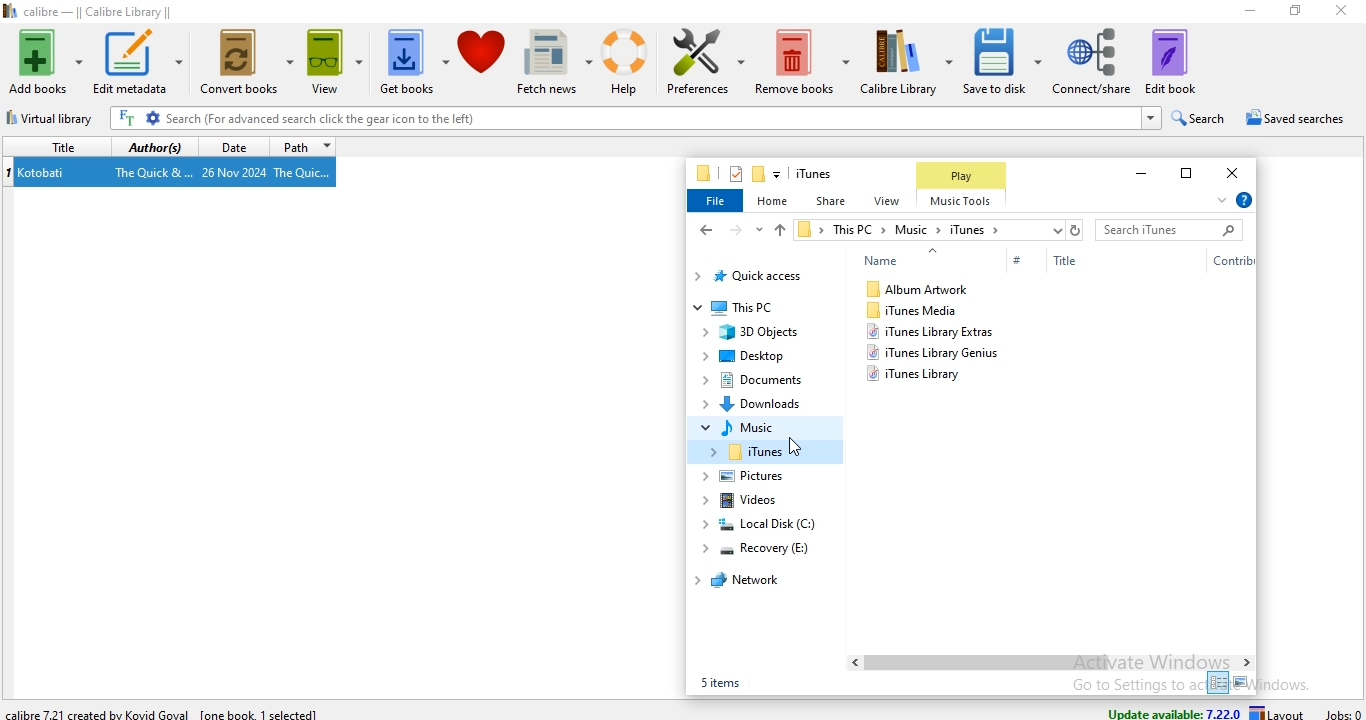 This screenshot has height=720, width=1366. What do you see at coordinates (154, 147) in the screenshot?
I see `authors` at bounding box center [154, 147].